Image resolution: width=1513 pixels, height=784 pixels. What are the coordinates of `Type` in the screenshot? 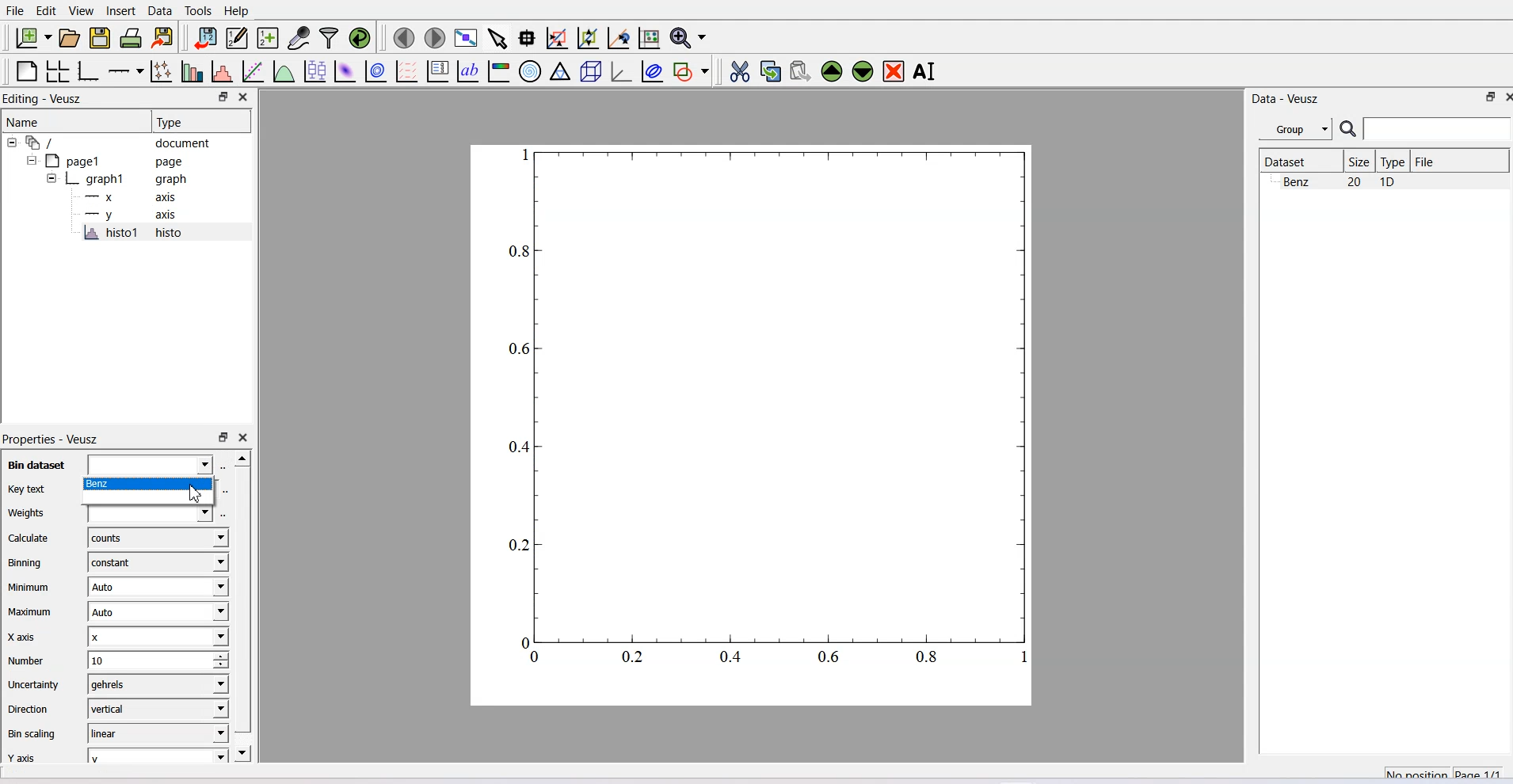 It's located at (1394, 161).